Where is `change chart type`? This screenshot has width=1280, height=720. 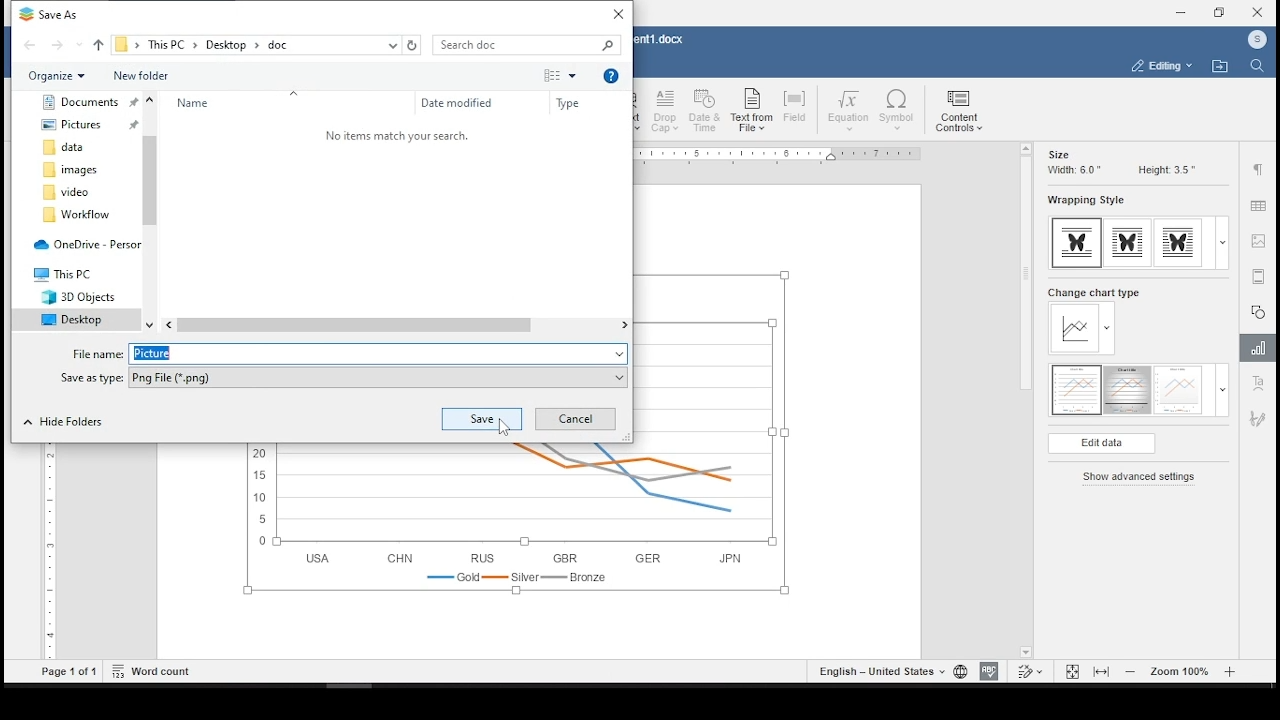
change chart type is located at coordinates (1094, 321).